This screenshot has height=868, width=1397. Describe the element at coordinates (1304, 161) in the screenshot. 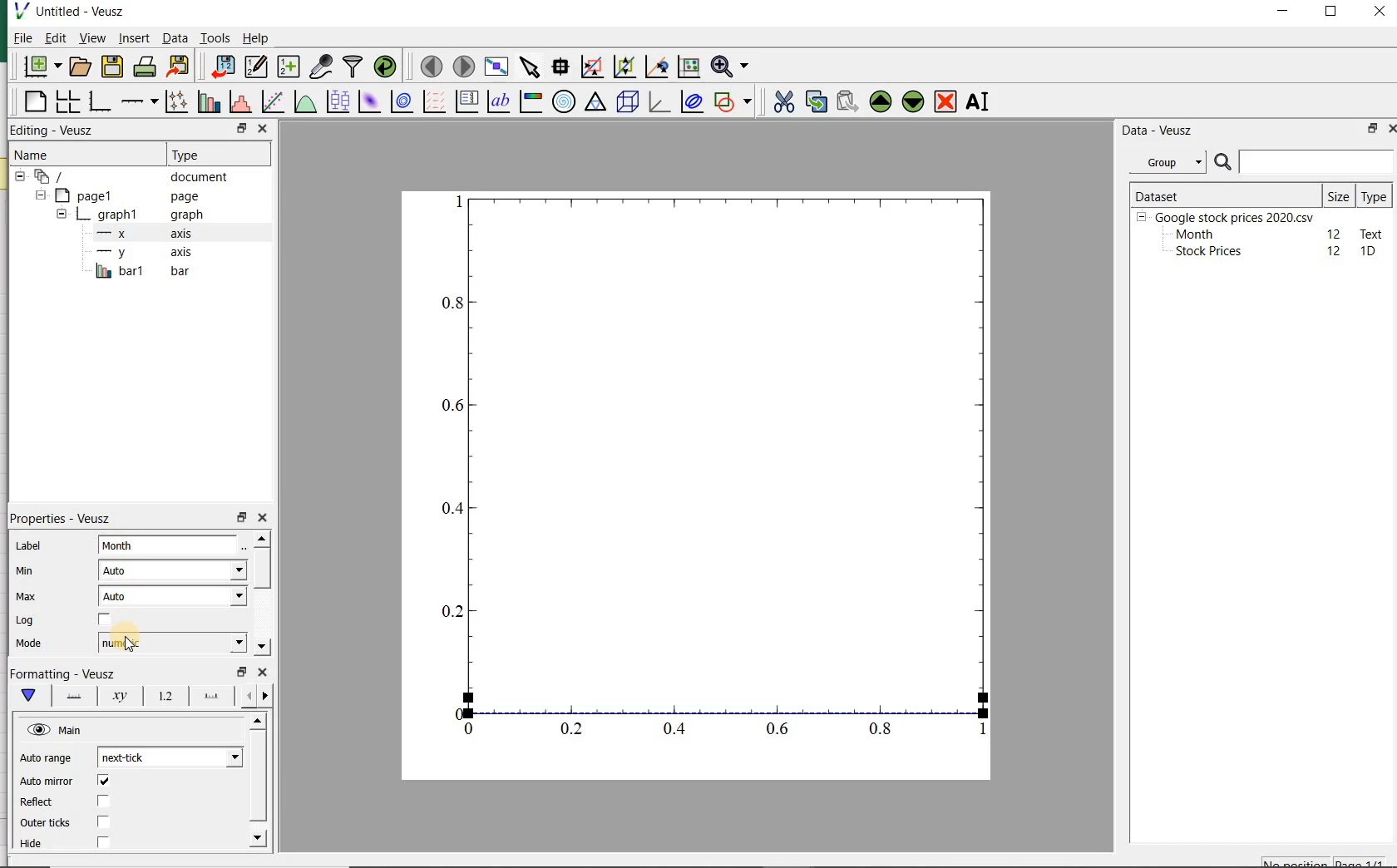

I see `SEARCH DATASET` at that location.